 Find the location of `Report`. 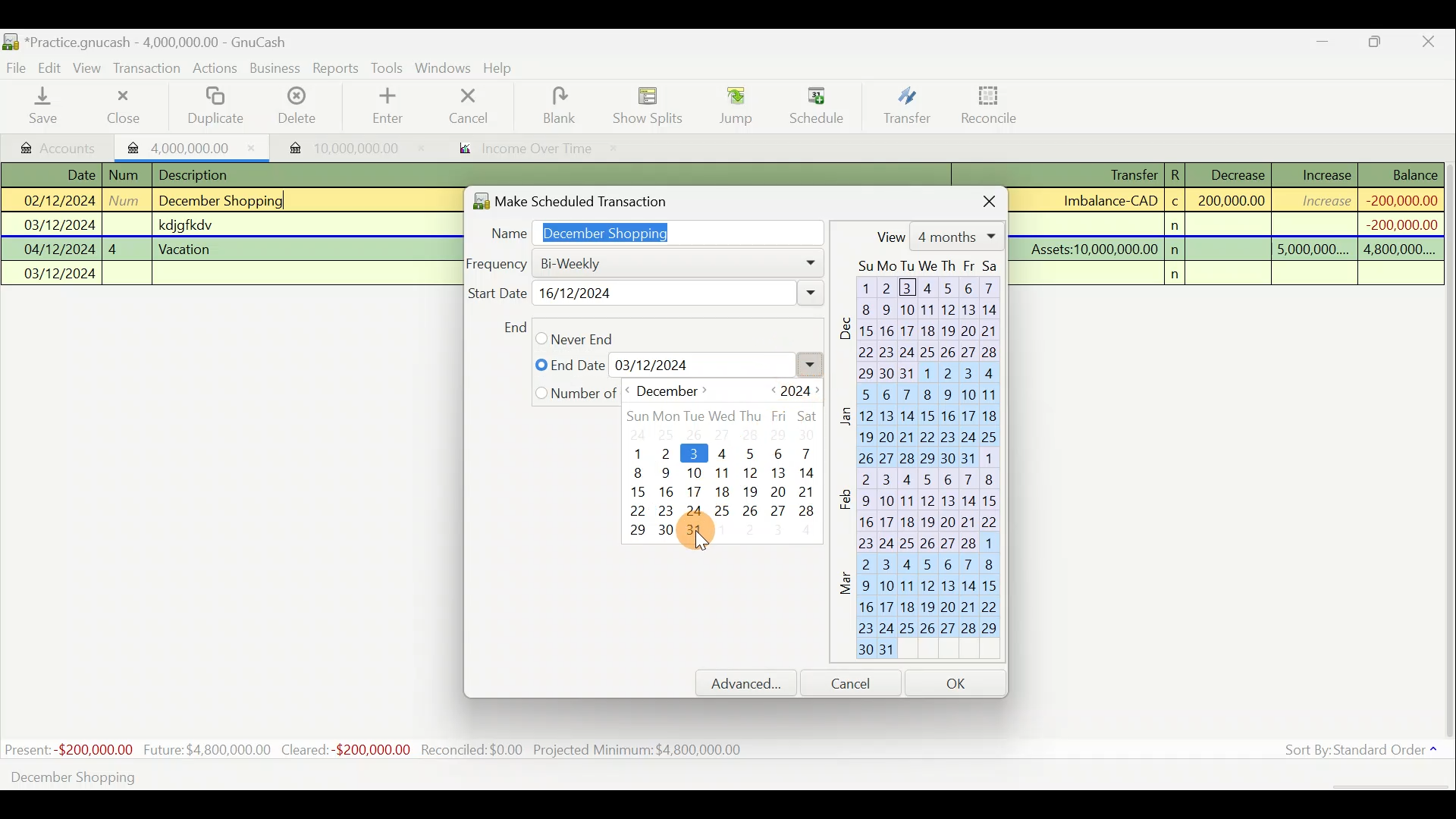

Report is located at coordinates (520, 150).